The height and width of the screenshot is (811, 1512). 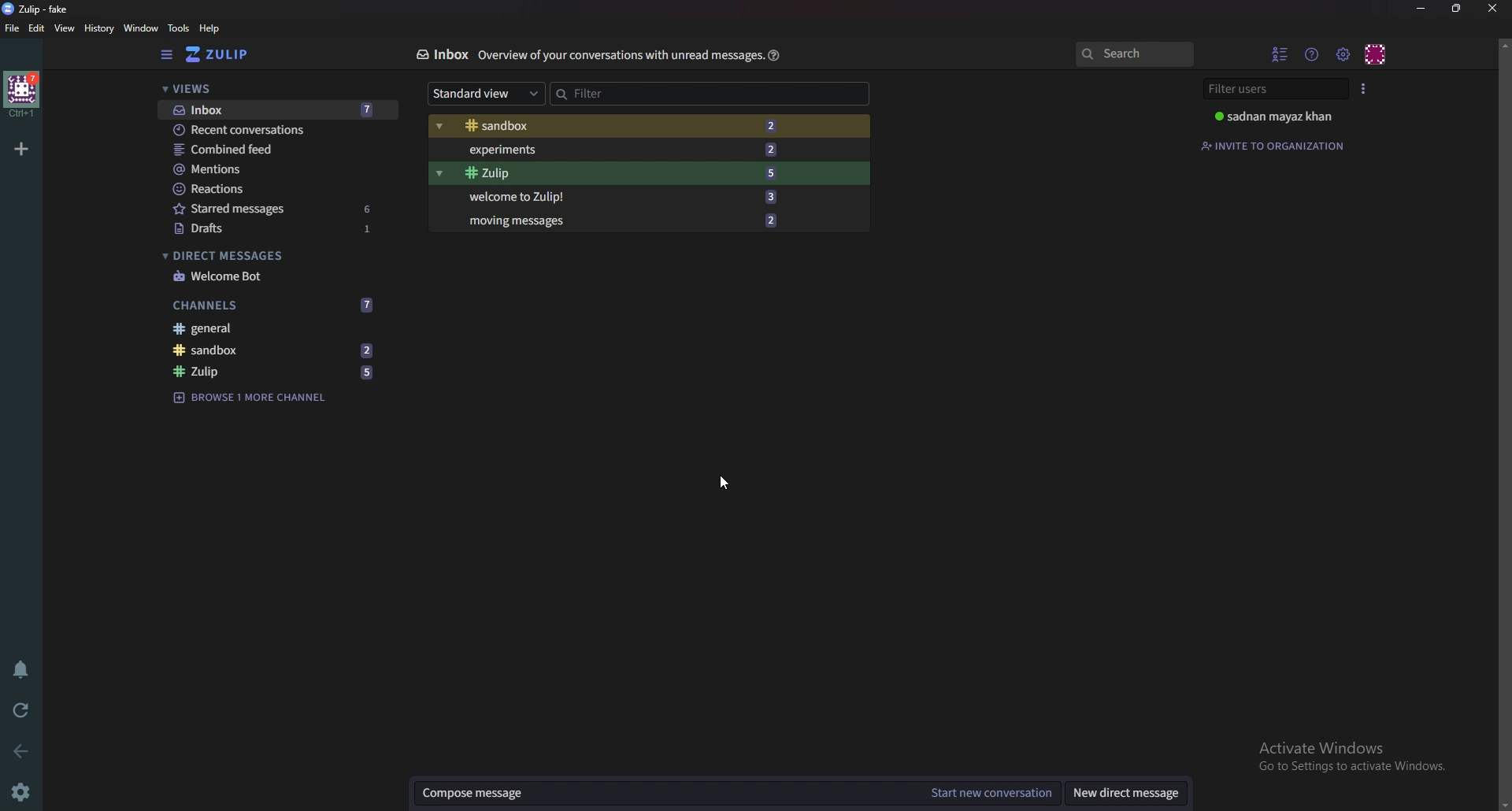 What do you see at coordinates (20, 149) in the screenshot?
I see `Add organization` at bounding box center [20, 149].